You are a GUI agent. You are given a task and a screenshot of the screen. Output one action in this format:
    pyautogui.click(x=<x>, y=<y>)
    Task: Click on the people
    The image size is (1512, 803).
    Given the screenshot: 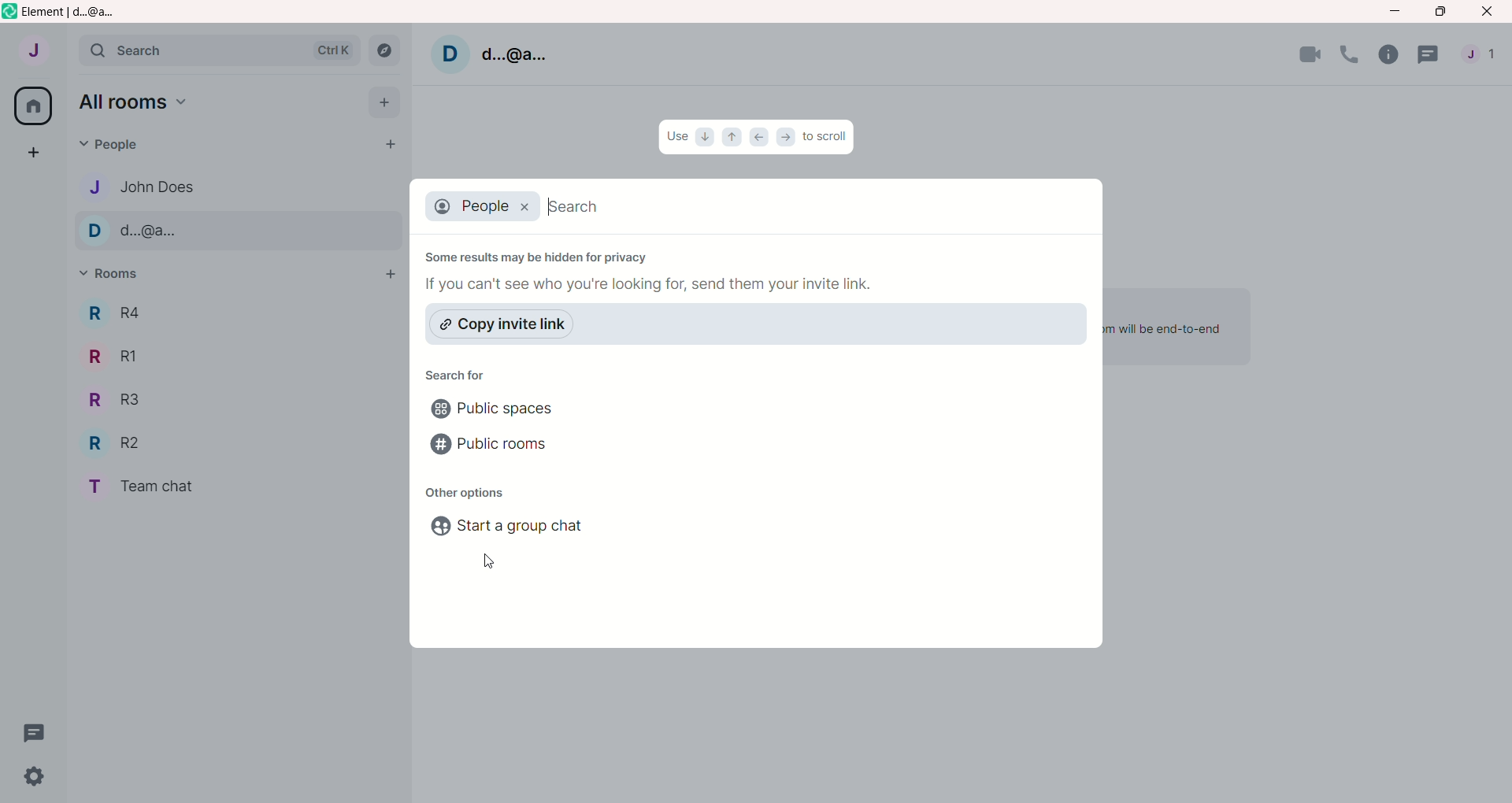 What is the action you would take?
    pyautogui.click(x=108, y=146)
    